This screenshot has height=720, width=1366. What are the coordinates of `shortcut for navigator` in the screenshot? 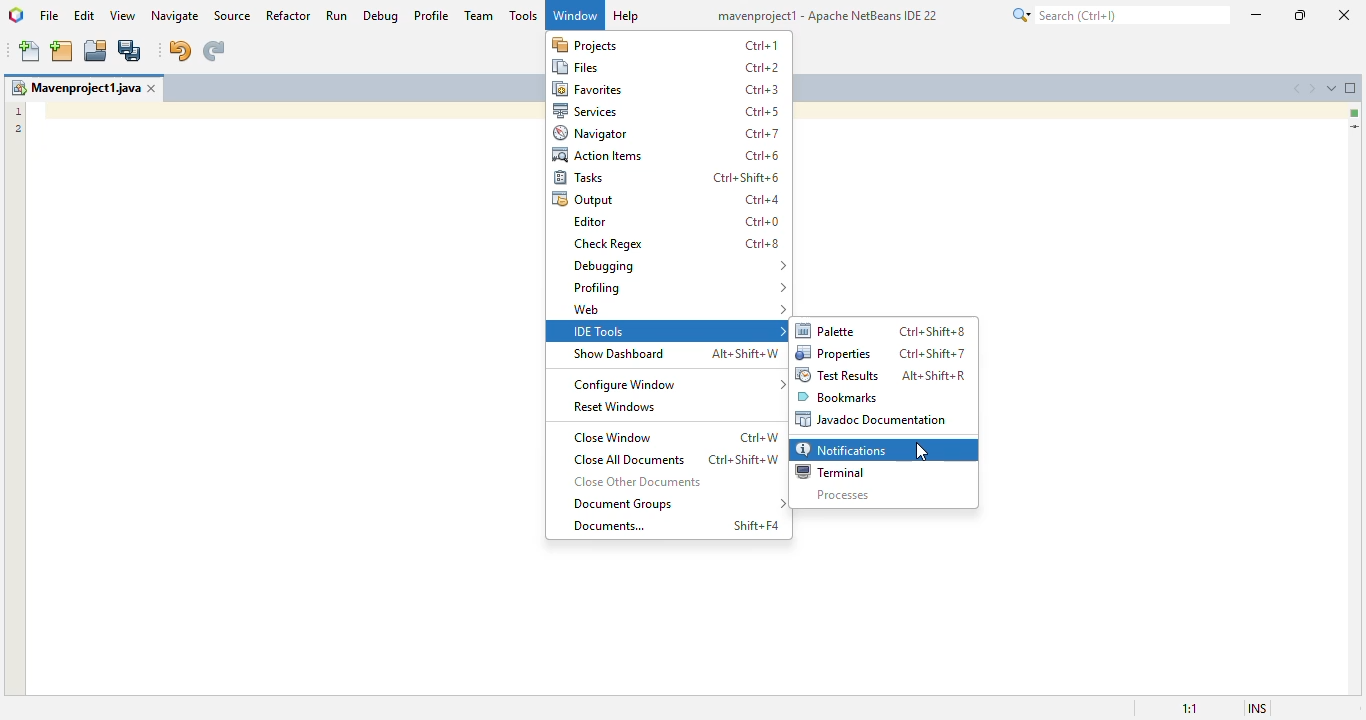 It's located at (762, 134).